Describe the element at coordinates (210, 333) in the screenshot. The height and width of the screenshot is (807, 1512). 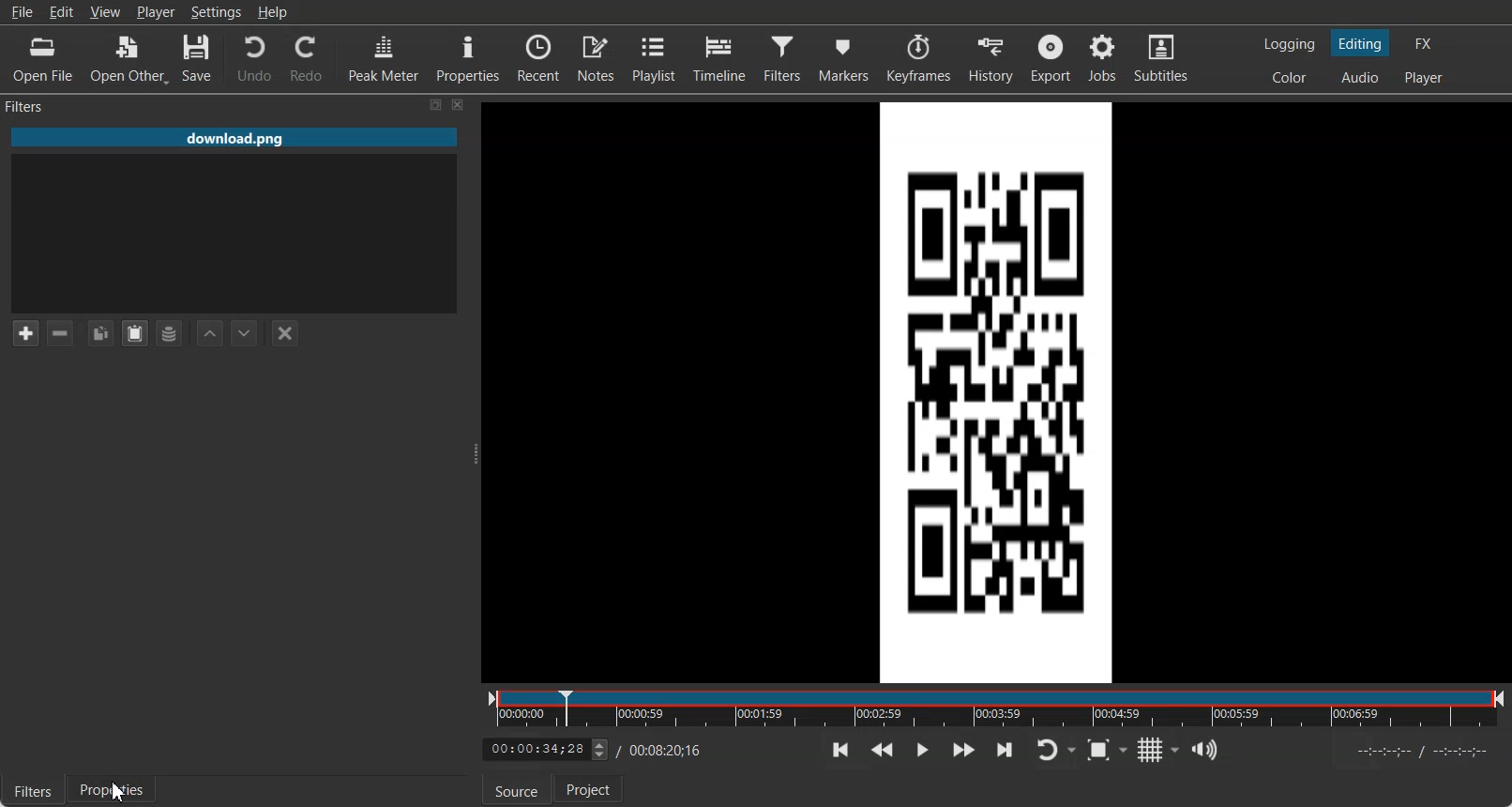
I see `Move filter up` at that location.